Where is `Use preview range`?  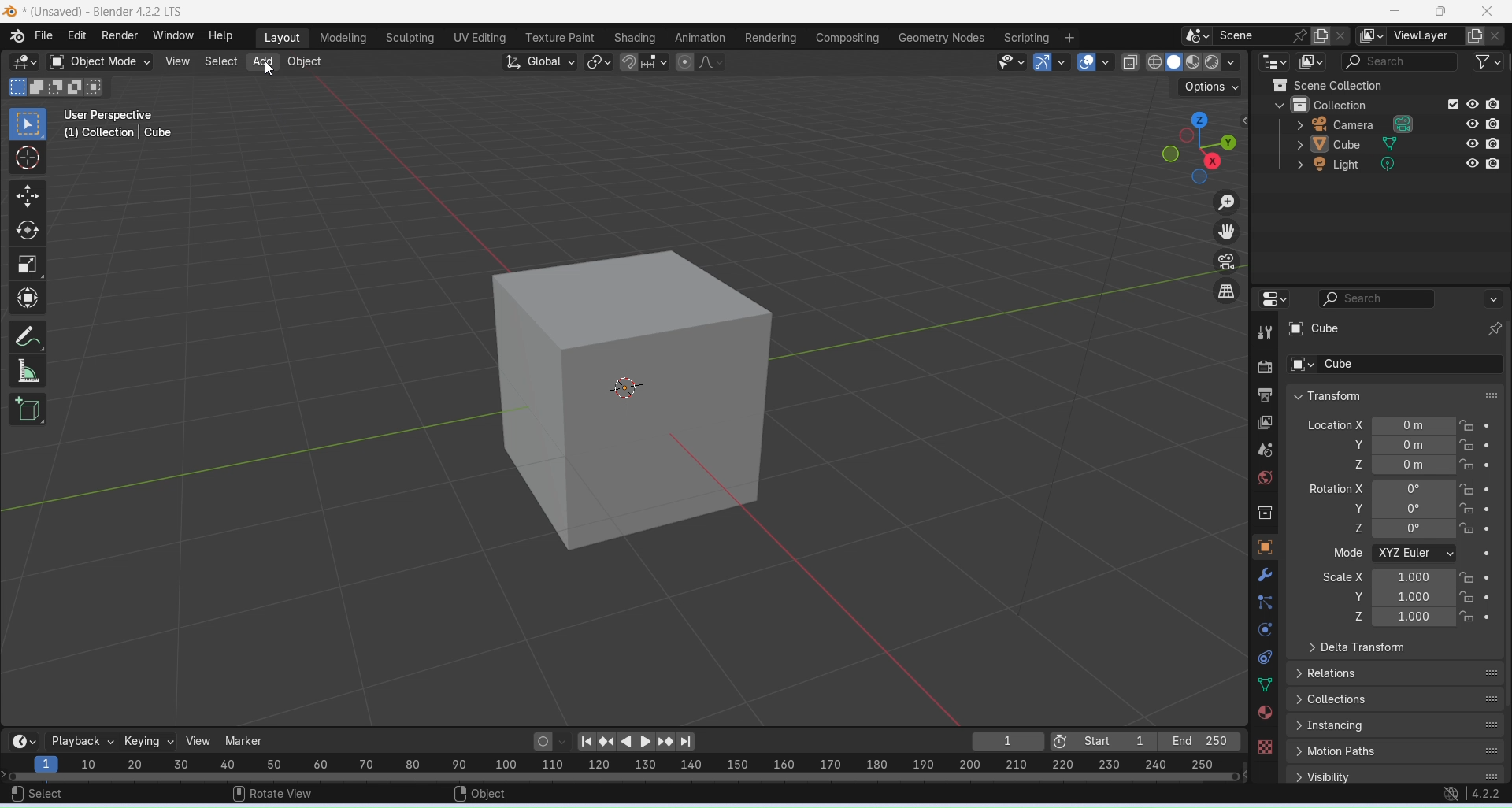 Use preview range is located at coordinates (1061, 740).